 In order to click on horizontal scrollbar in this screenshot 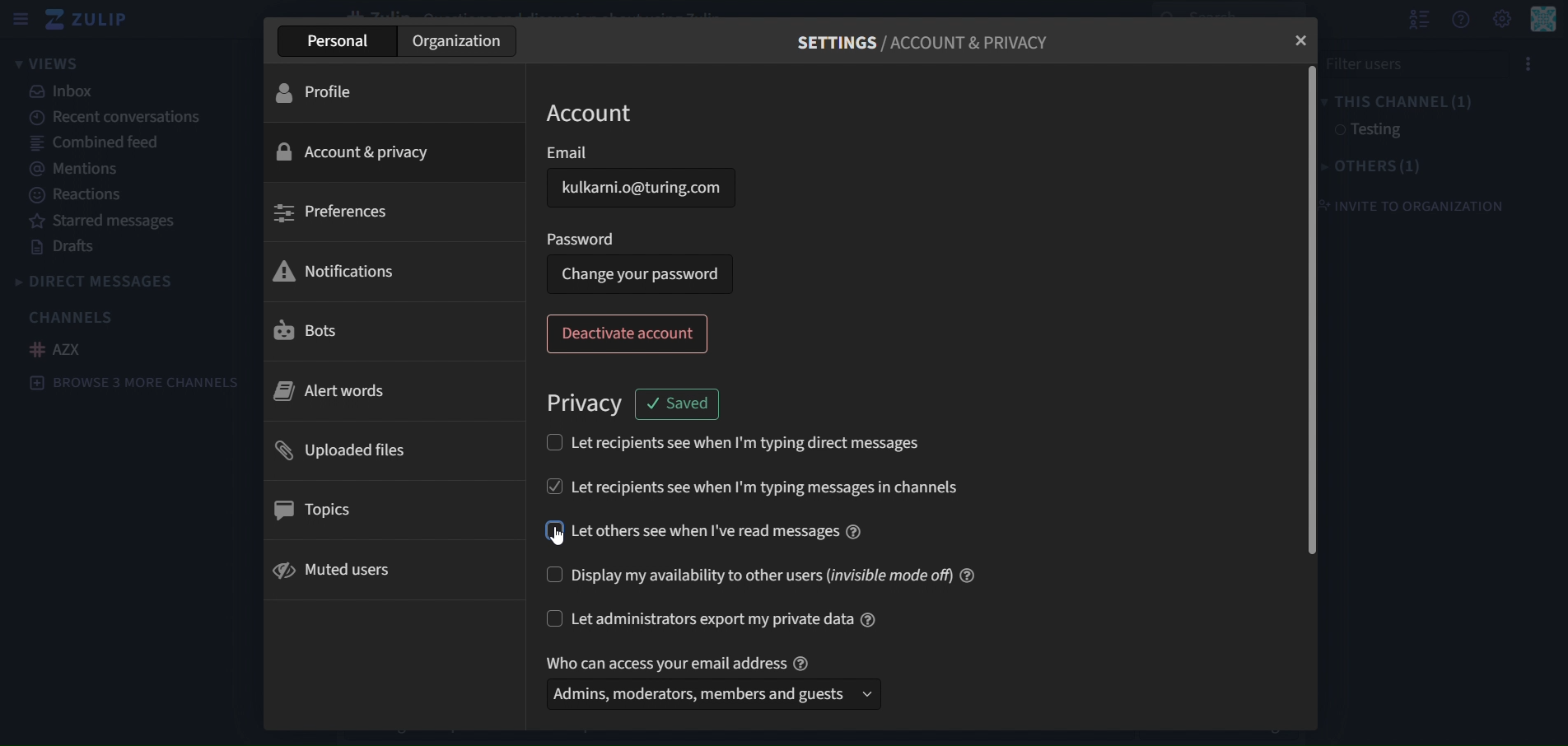, I will do `click(1309, 310)`.